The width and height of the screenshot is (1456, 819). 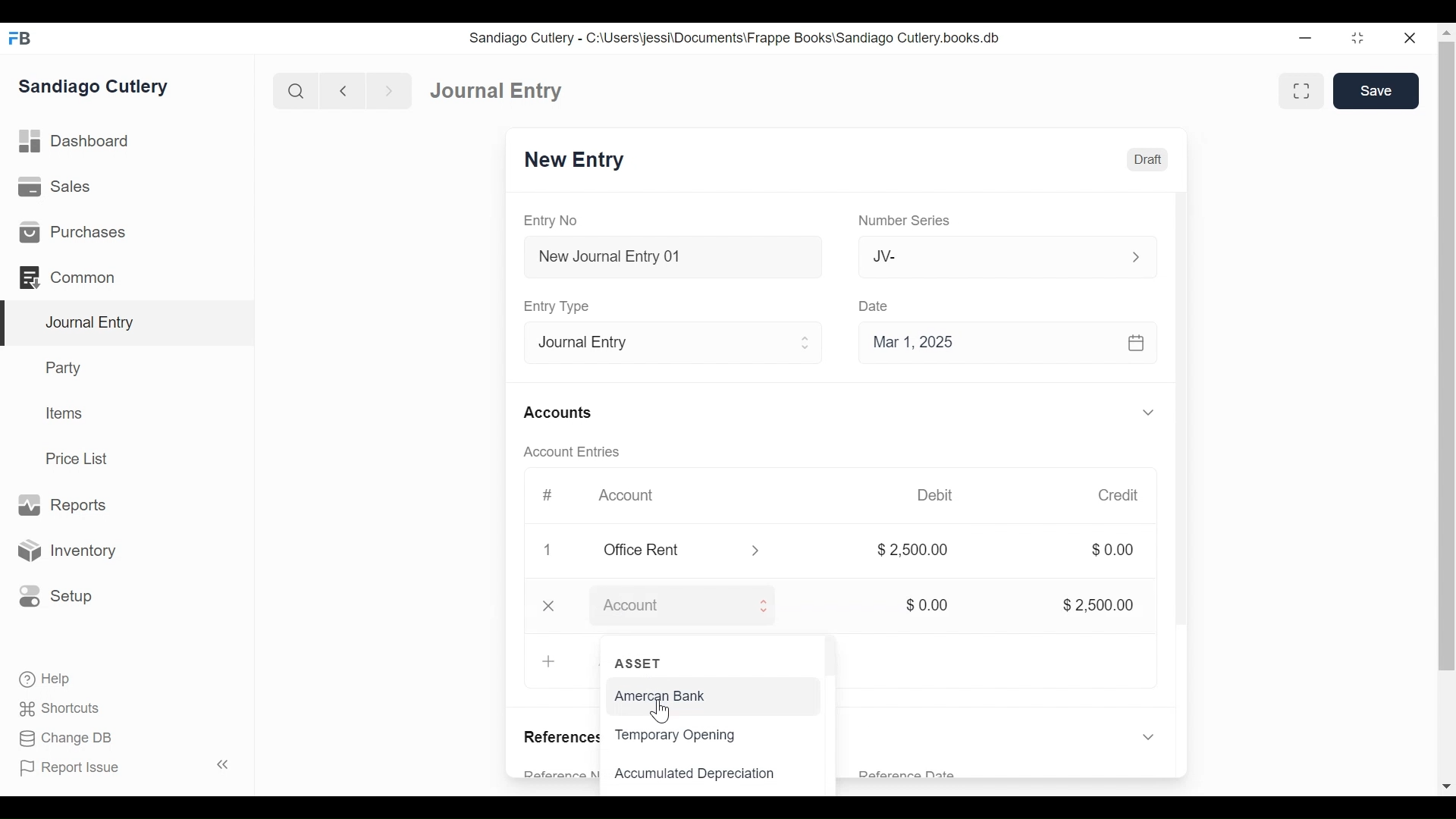 What do you see at coordinates (564, 771) in the screenshot?
I see `Reference Number` at bounding box center [564, 771].